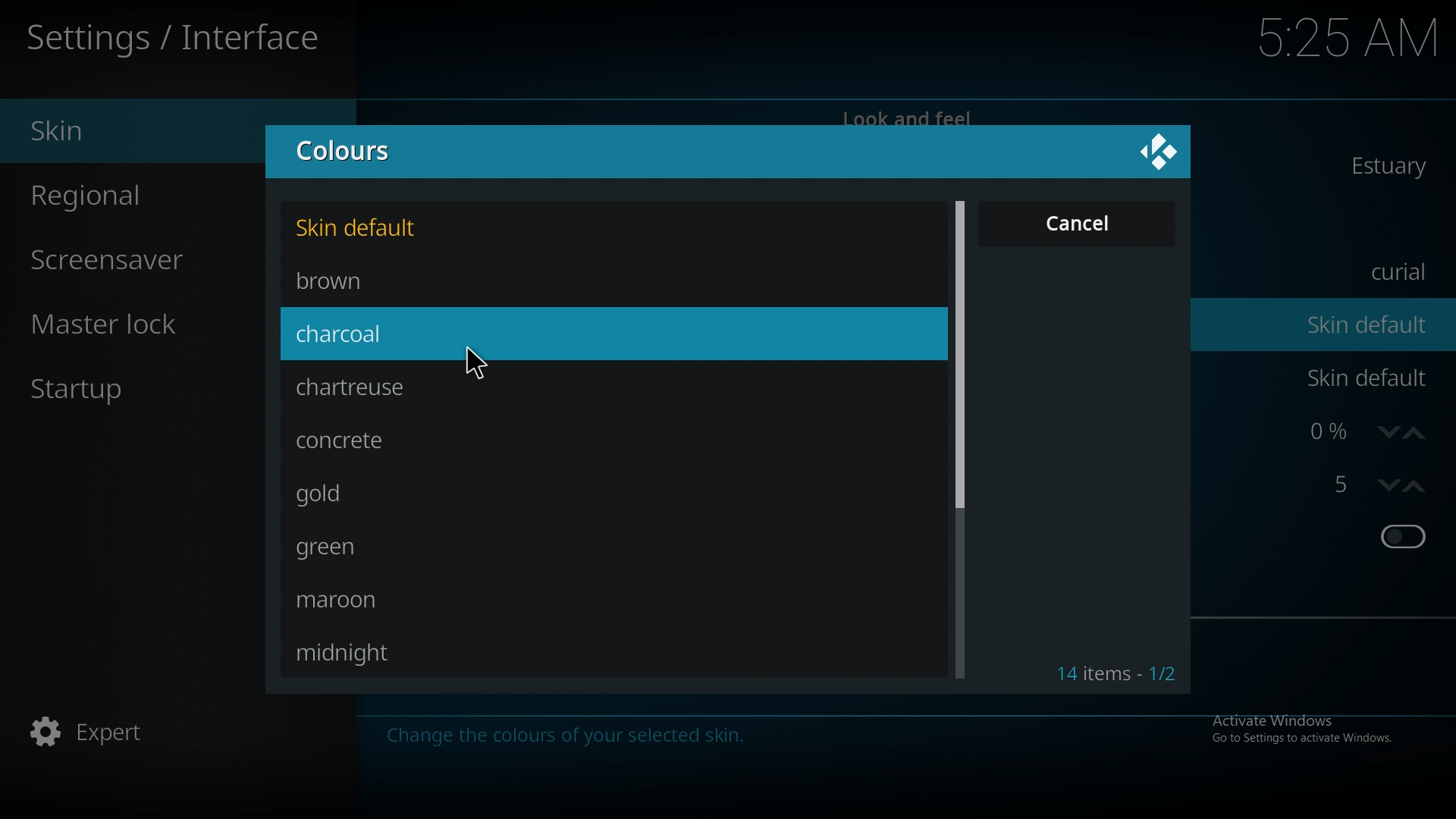 The height and width of the screenshot is (819, 1456). Describe the element at coordinates (128, 133) in the screenshot. I see `skin` at that location.